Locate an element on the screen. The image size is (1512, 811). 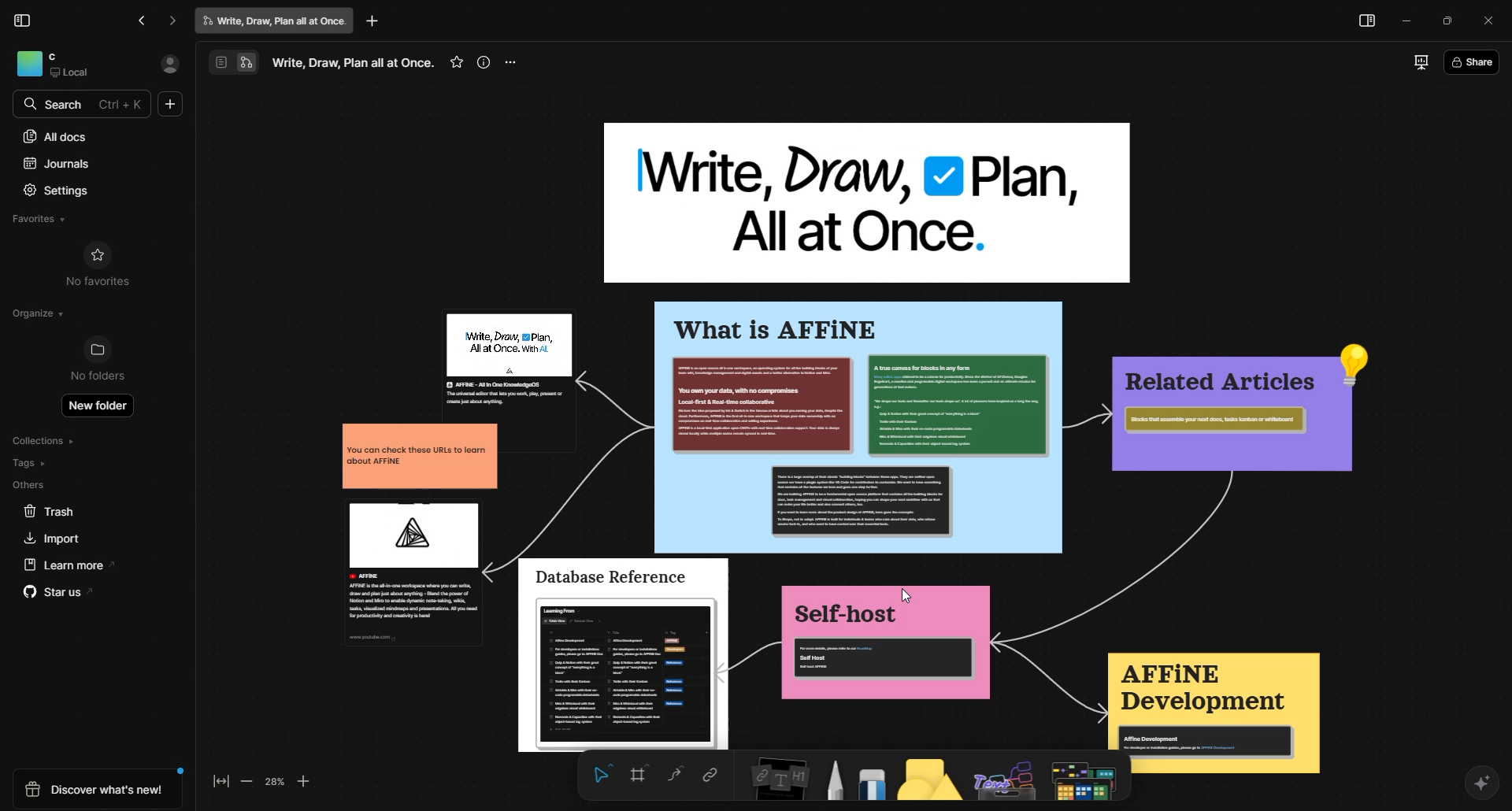
new doc is located at coordinates (171, 106).